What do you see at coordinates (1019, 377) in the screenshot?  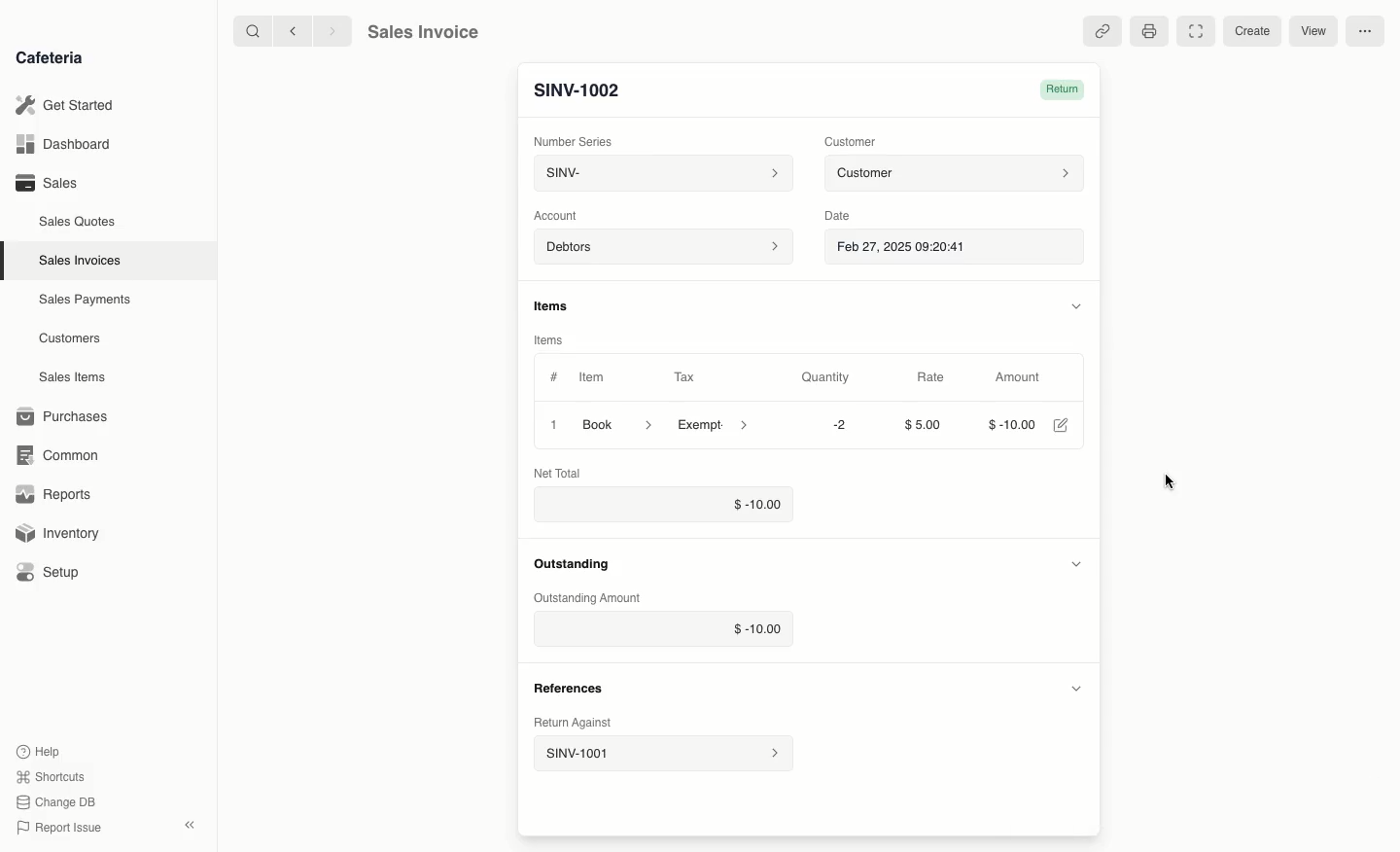 I see `Amount` at bounding box center [1019, 377].